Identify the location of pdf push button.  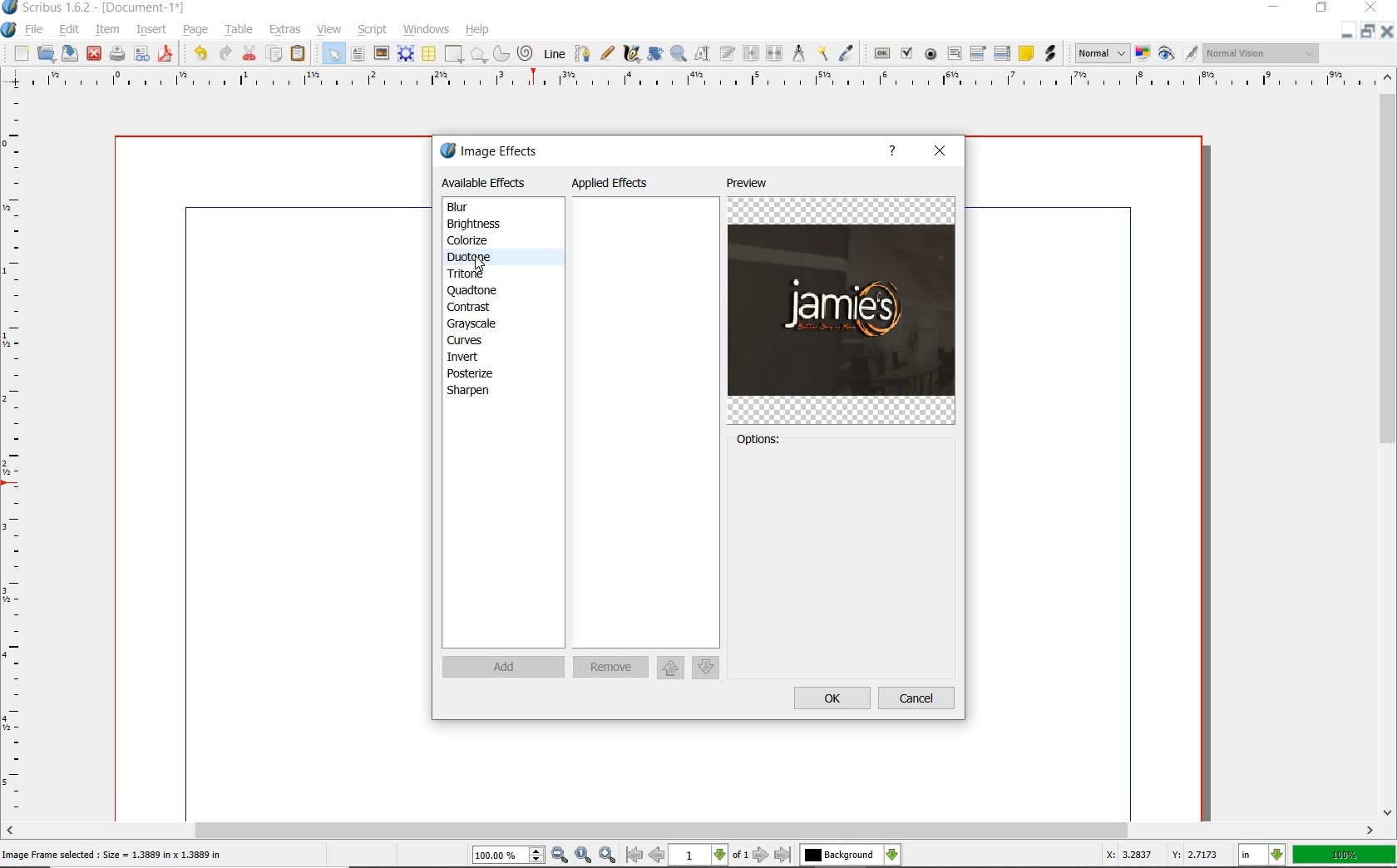
(882, 54).